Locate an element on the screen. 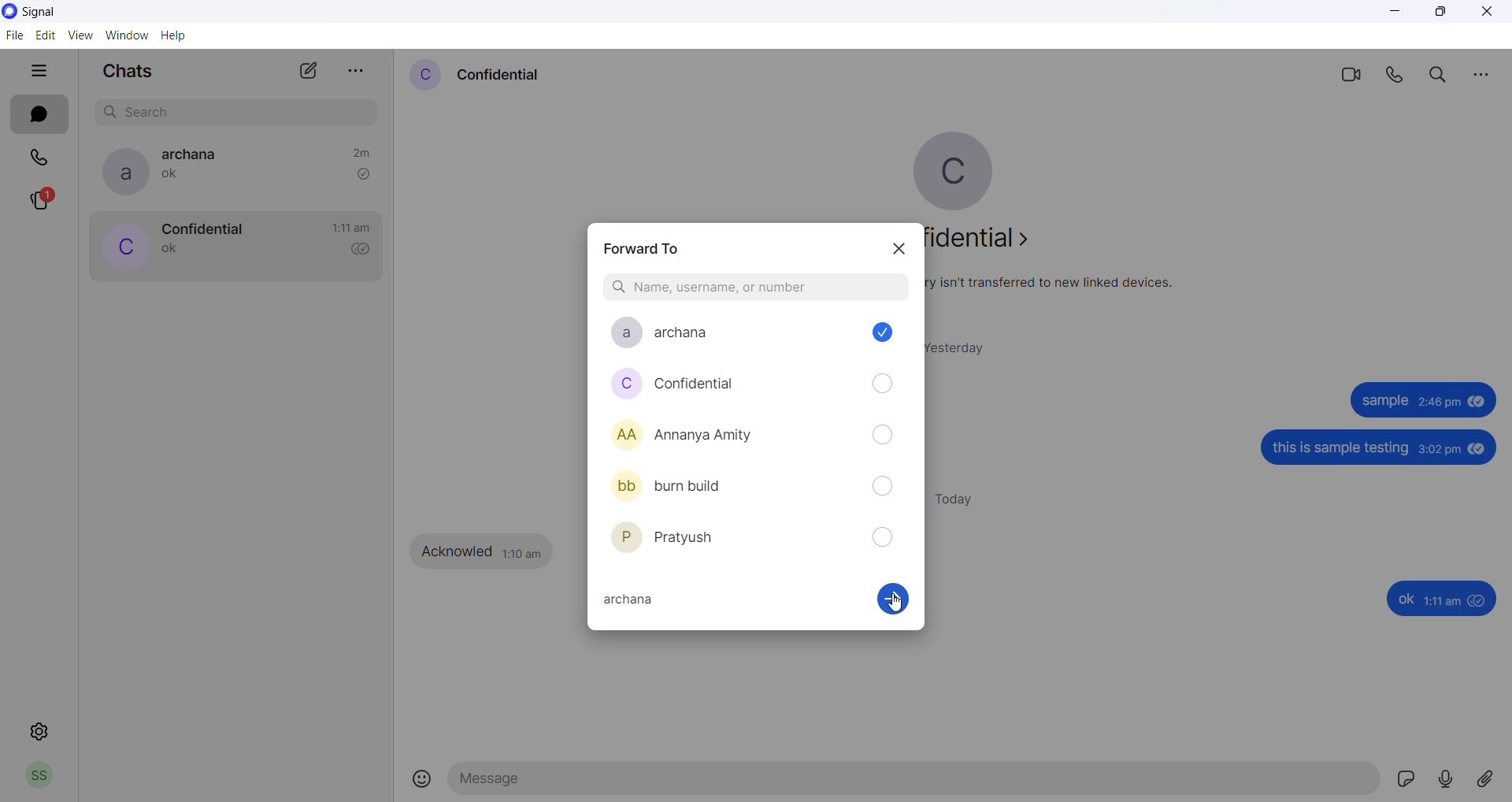 This screenshot has width=1512, height=802. yesterday messages heading is located at coordinates (965, 343).